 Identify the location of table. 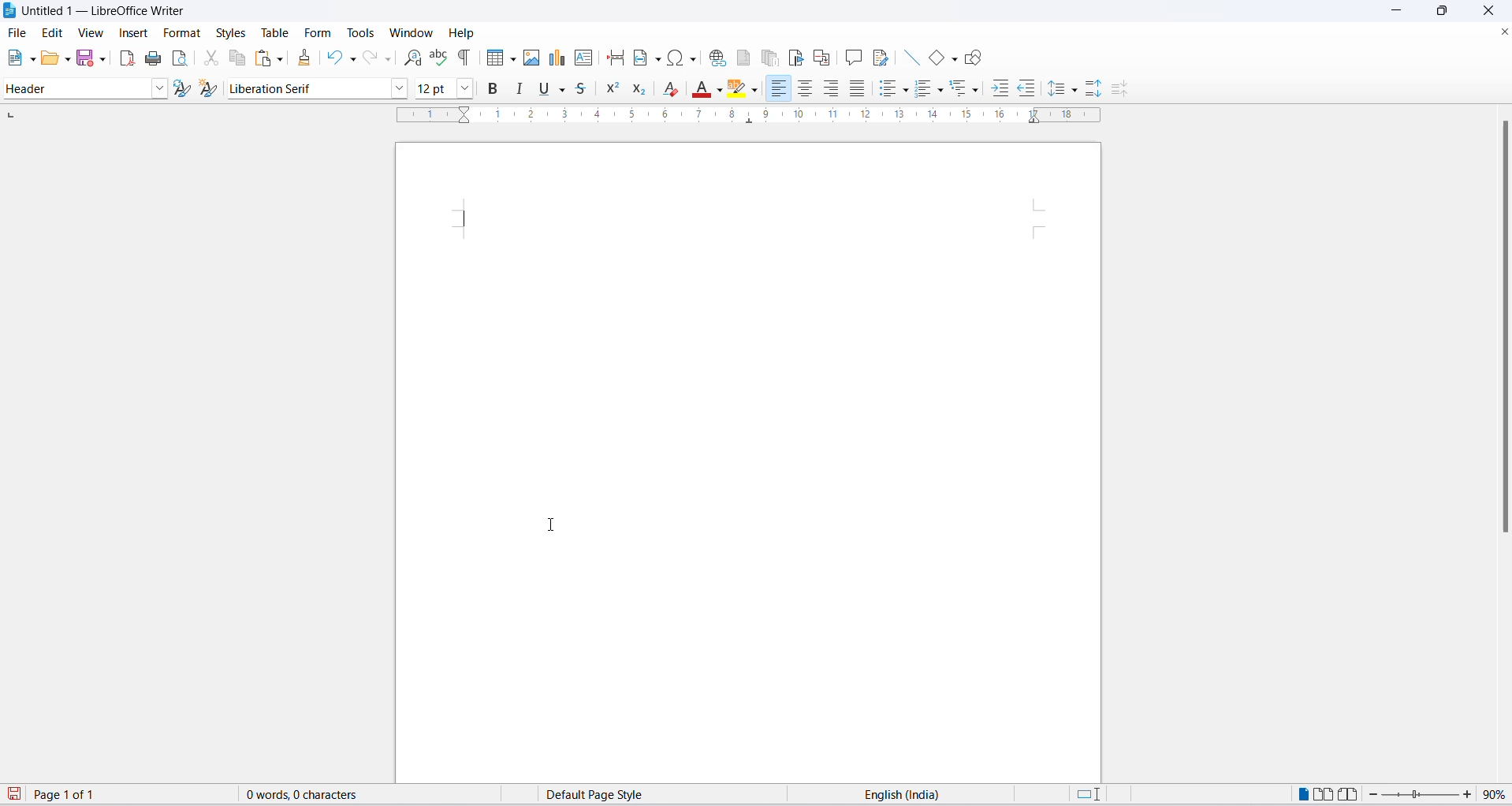
(273, 32).